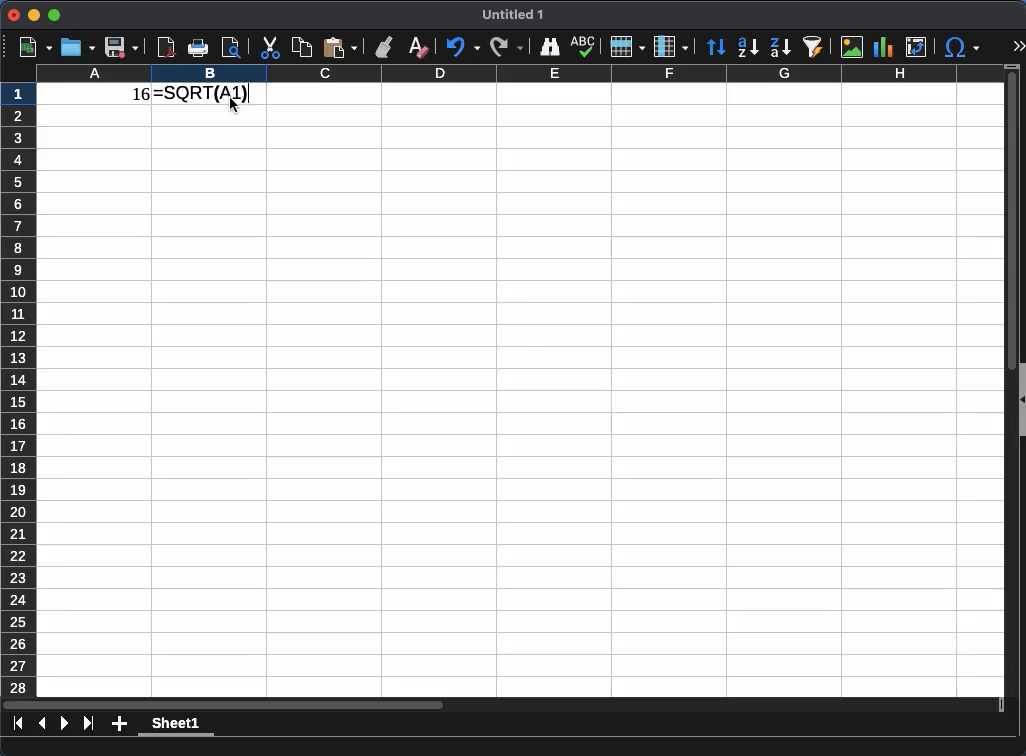 This screenshot has height=756, width=1026. I want to click on cut, so click(269, 48).